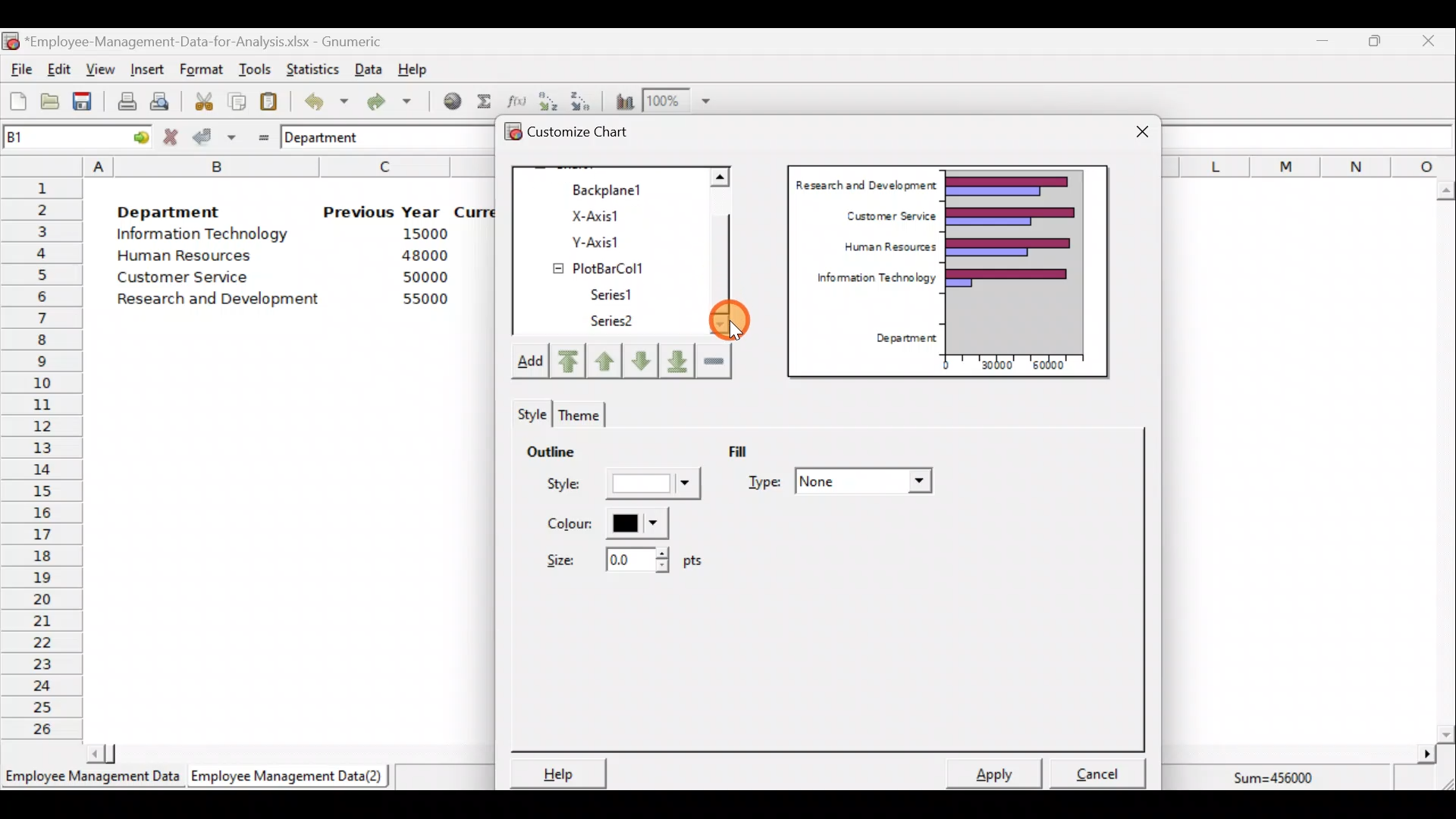 The width and height of the screenshot is (1456, 819). Describe the element at coordinates (259, 134) in the screenshot. I see `Enter formula` at that location.